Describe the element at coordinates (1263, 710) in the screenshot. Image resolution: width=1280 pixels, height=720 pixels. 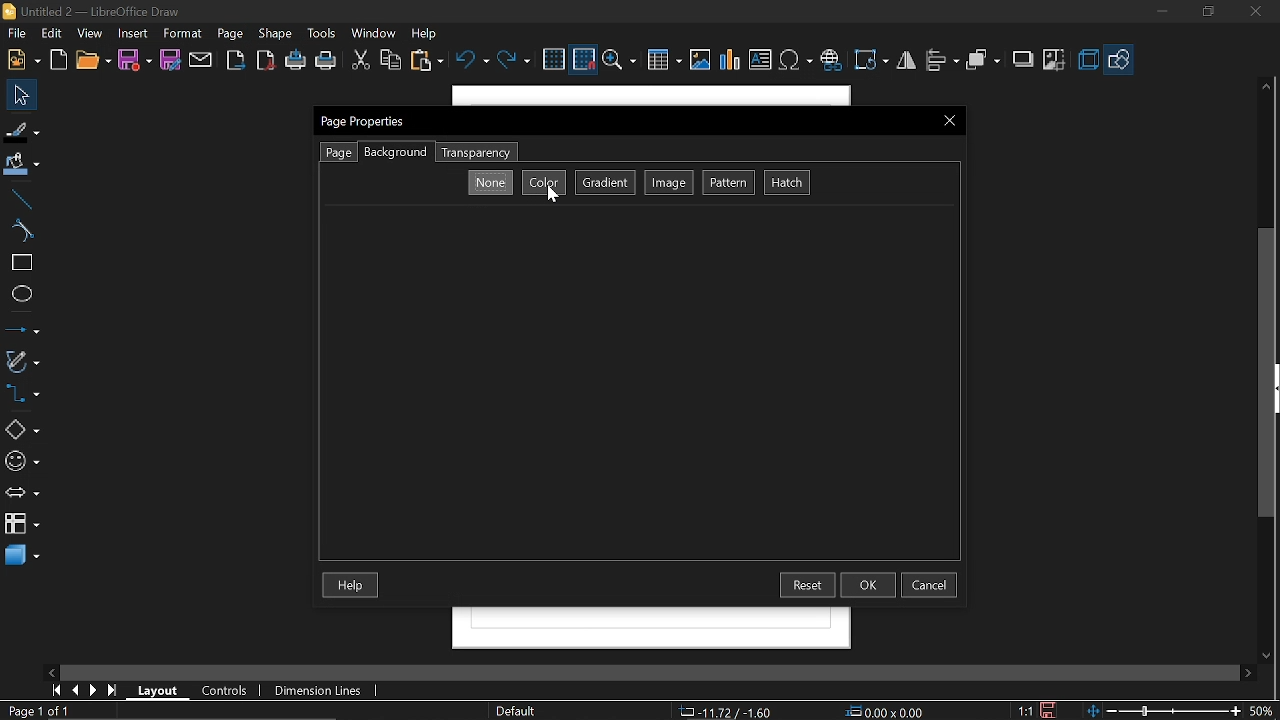
I see `Current zoom` at that location.